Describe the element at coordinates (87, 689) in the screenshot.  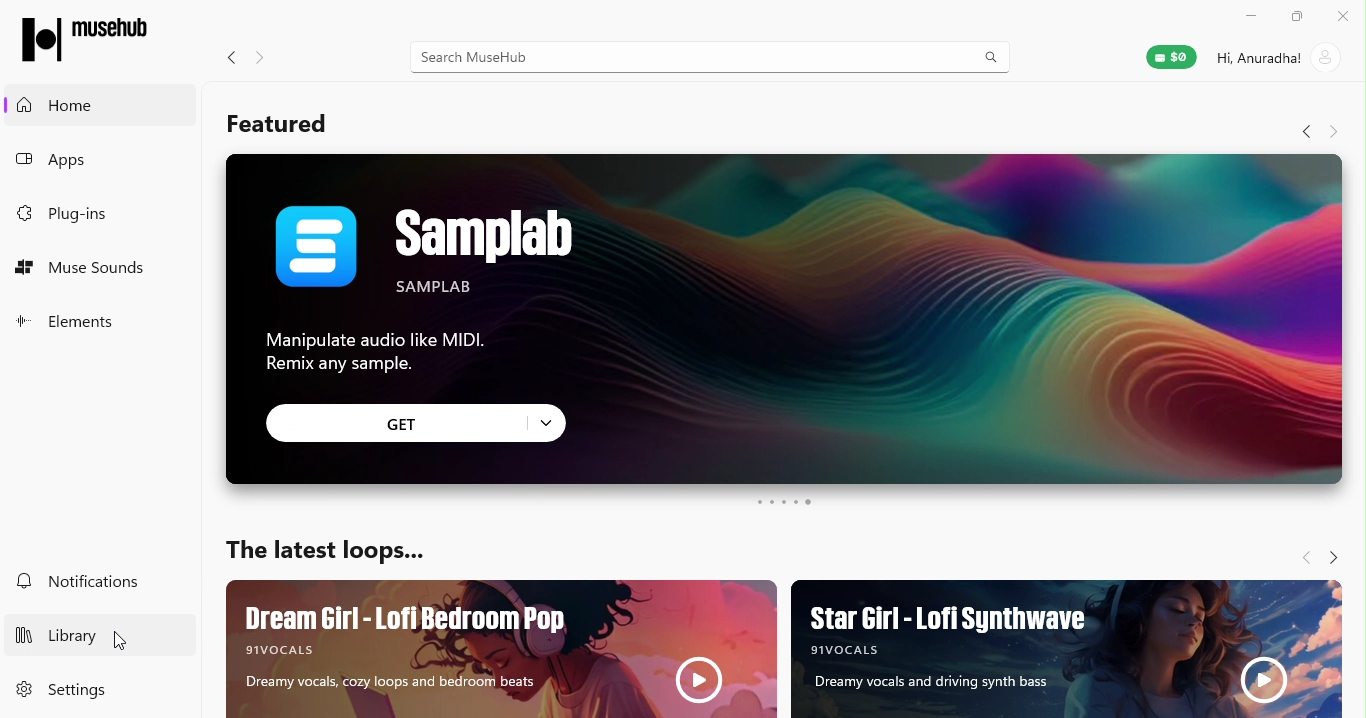
I see `Settings` at that location.